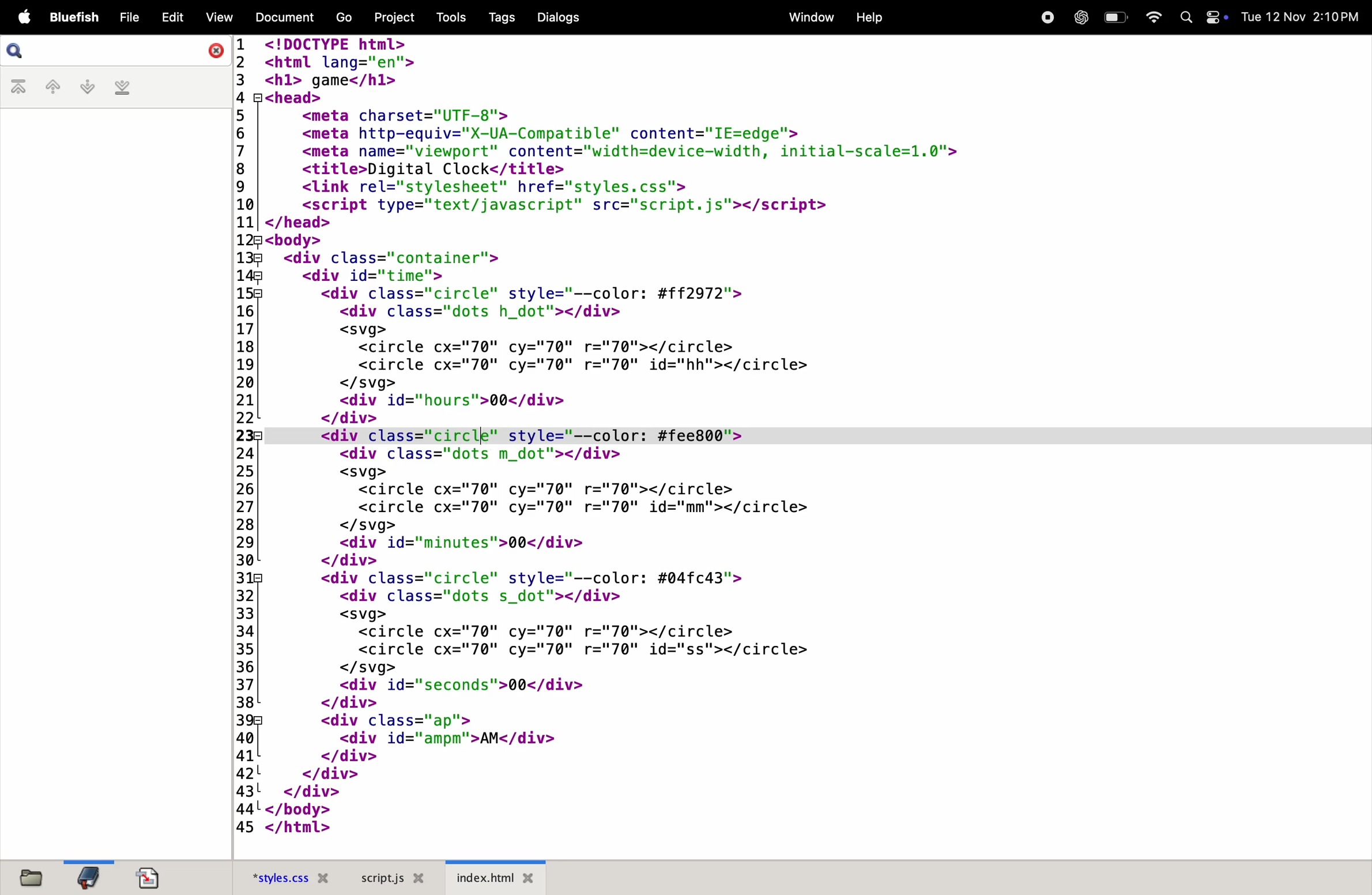 This screenshot has width=1372, height=895. Describe the element at coordinates (806, 17) in the screenshot. I see `window` at that location.